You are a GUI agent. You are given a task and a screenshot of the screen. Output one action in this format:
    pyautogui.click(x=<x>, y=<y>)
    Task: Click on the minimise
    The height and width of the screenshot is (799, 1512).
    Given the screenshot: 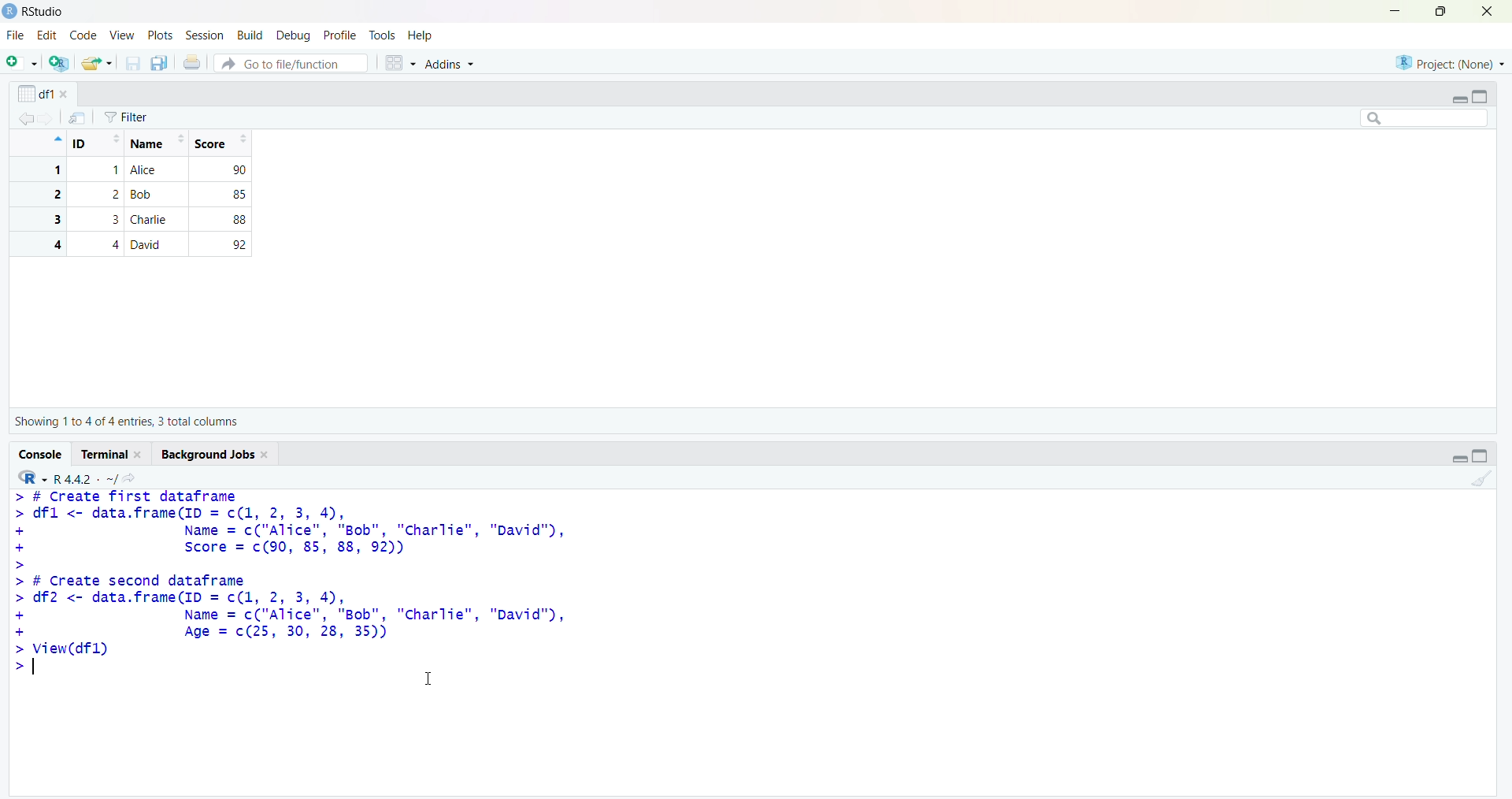 What is the action you would take?
    pyautogui.click(x=1395, y=10)
    